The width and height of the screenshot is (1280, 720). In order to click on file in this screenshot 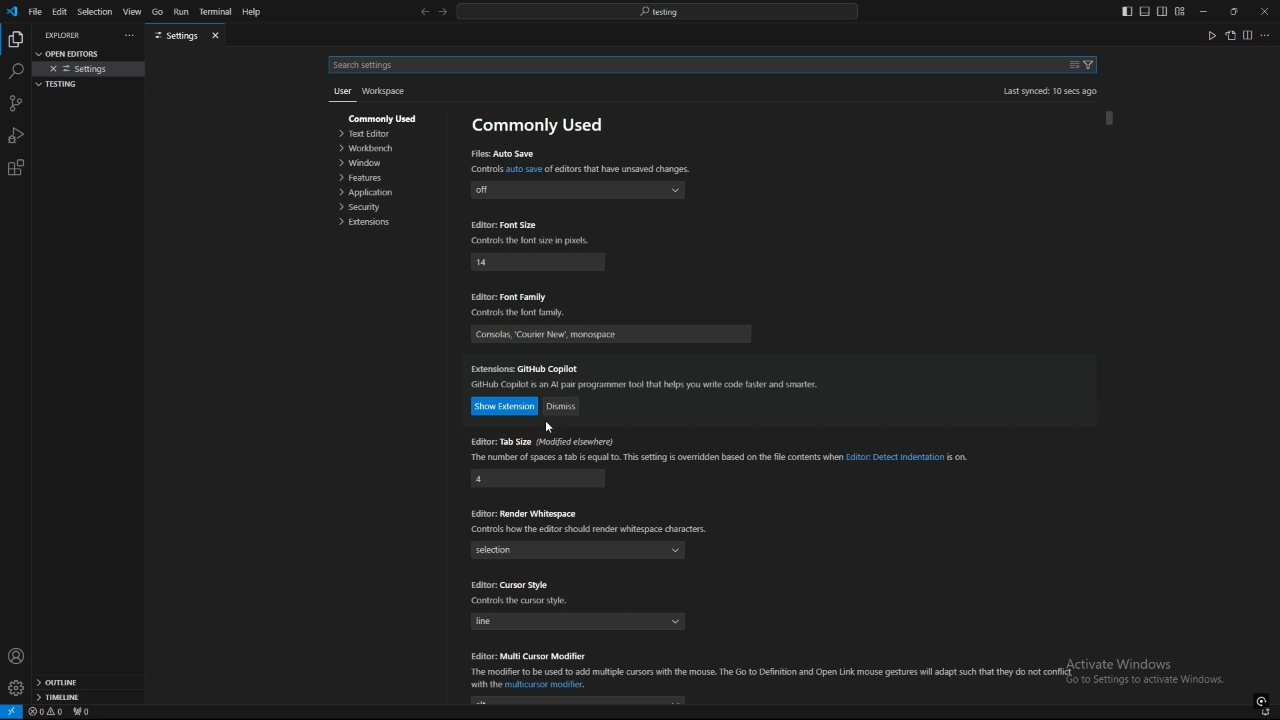, I will do `click(35, 11)`.